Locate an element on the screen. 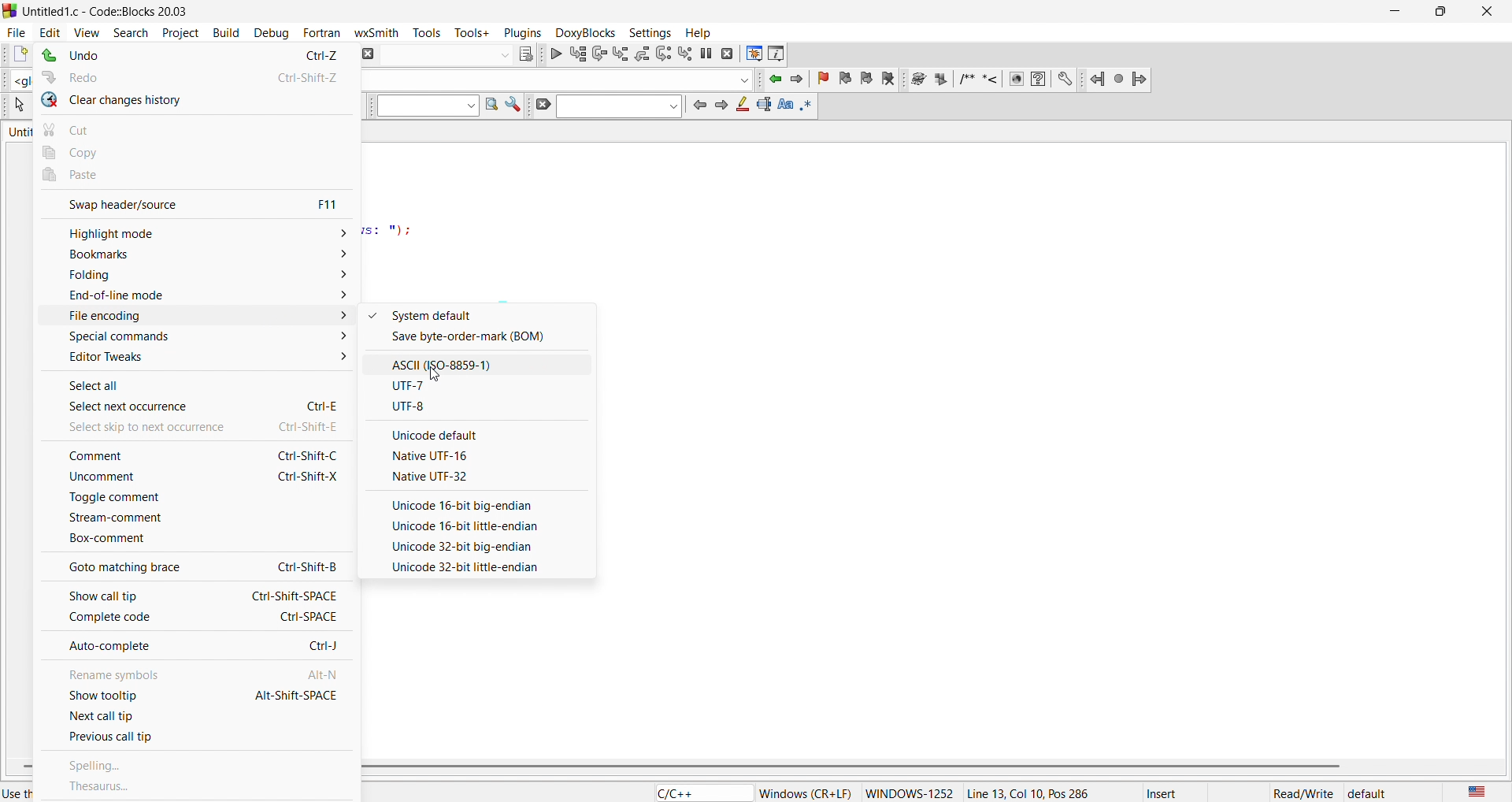  folding is located at coordinates (196, 277).